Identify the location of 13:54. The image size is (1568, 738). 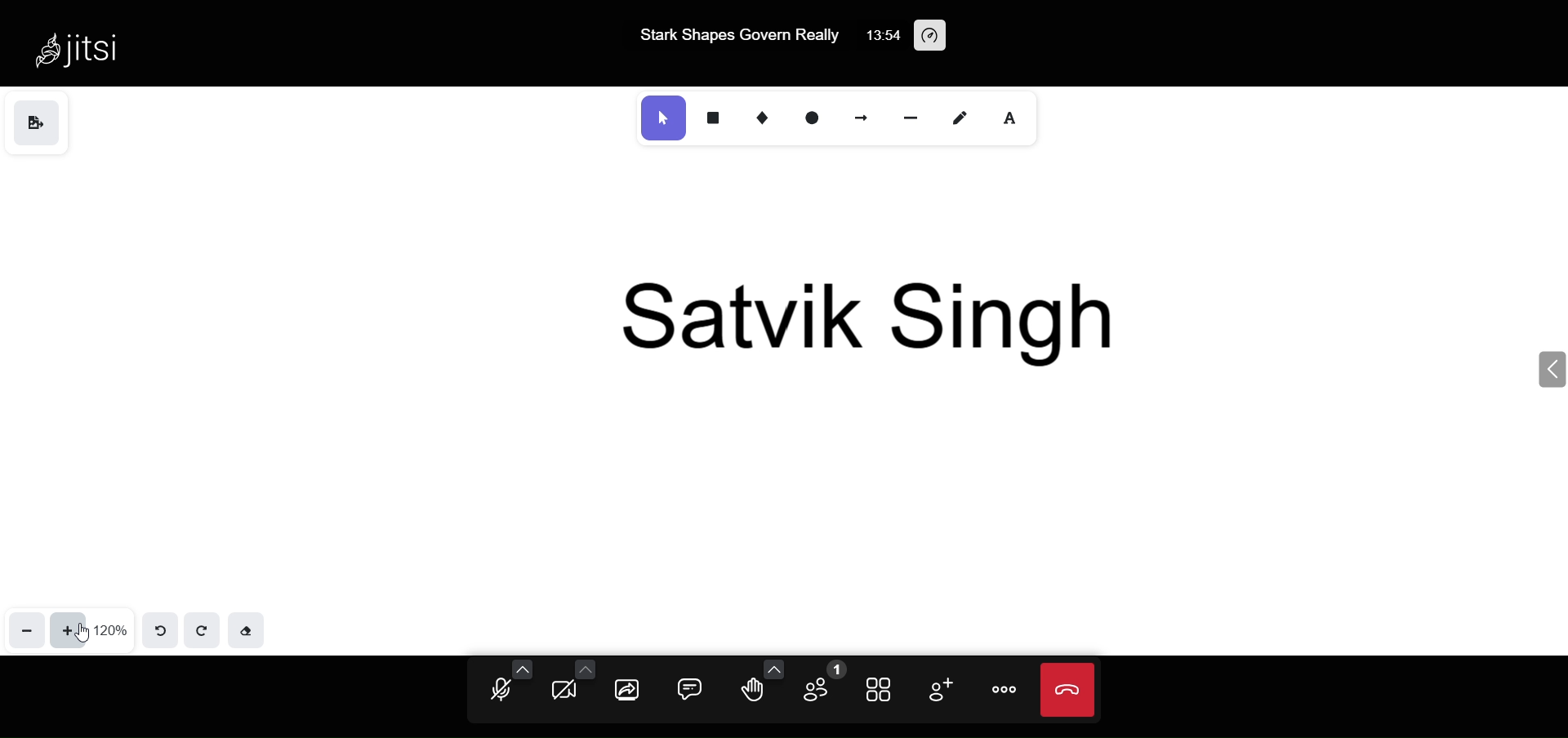
(879, 34).